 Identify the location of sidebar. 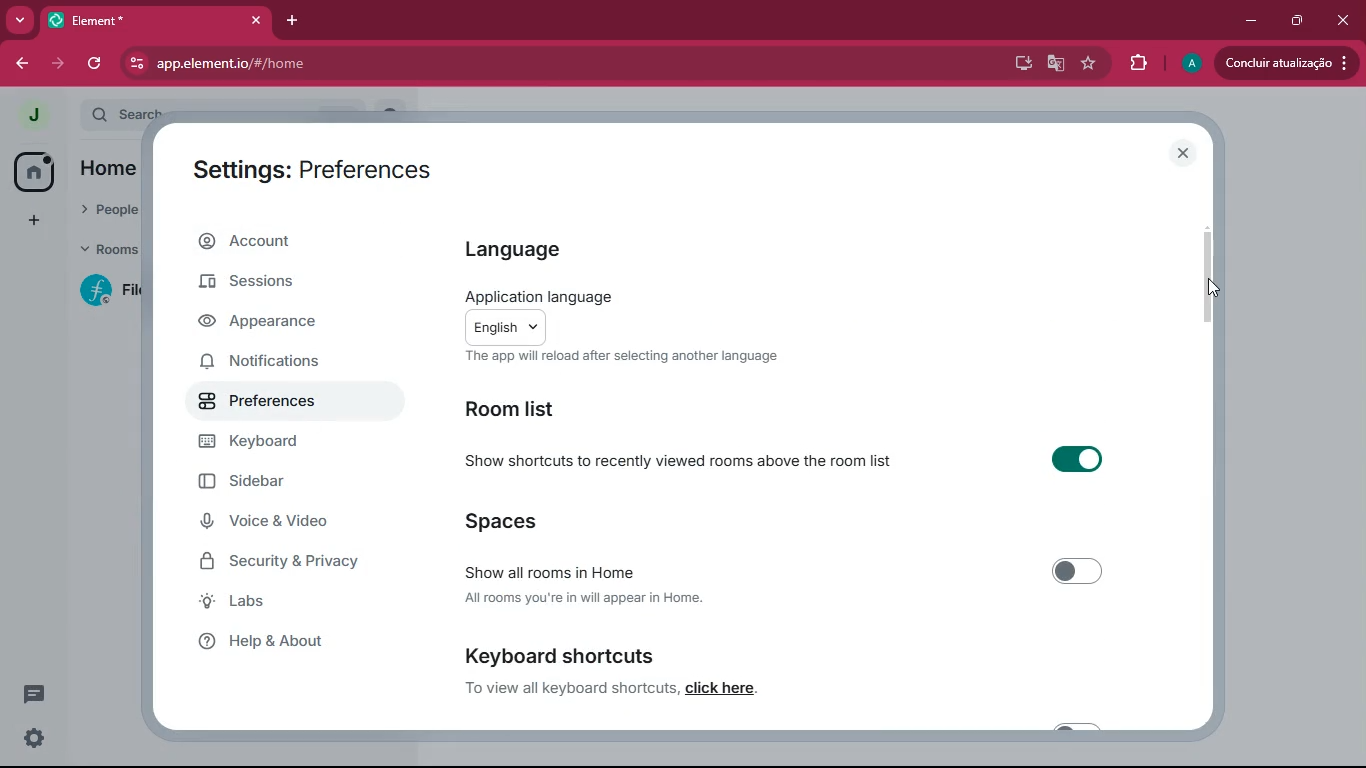
(275, 481).